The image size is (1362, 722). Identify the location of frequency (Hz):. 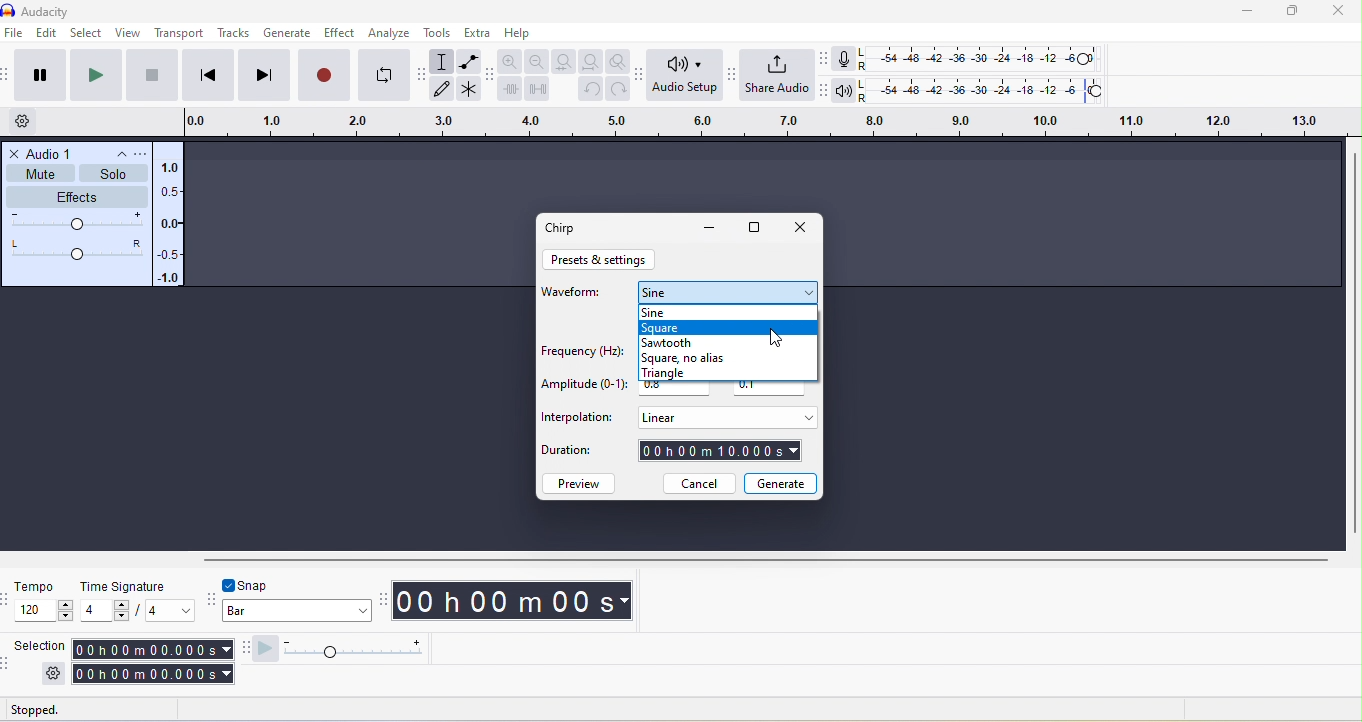
(580, 353).